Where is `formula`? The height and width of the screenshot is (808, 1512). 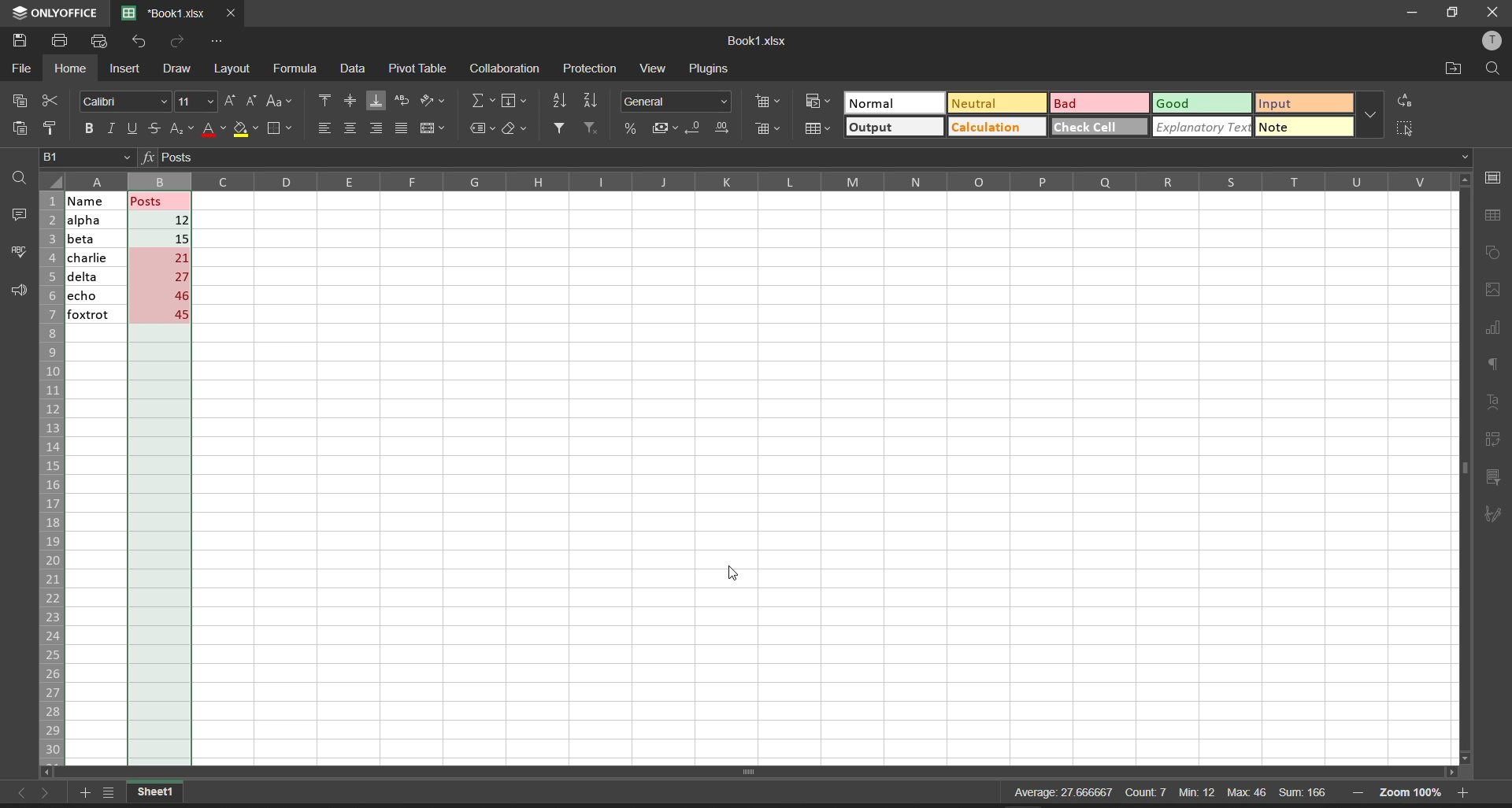 formula is located at coordinates (297, 68).